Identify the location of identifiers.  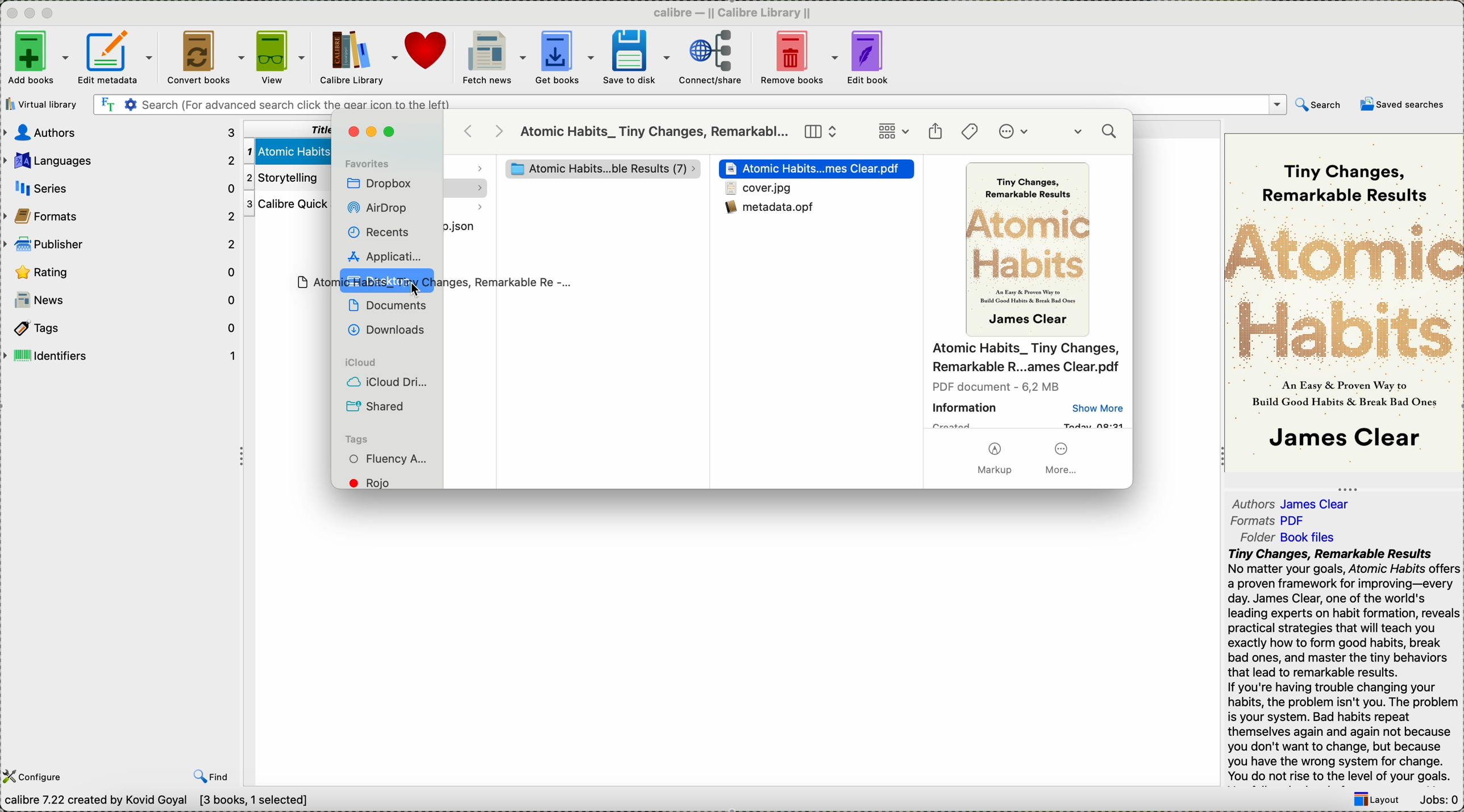
(120, 356).